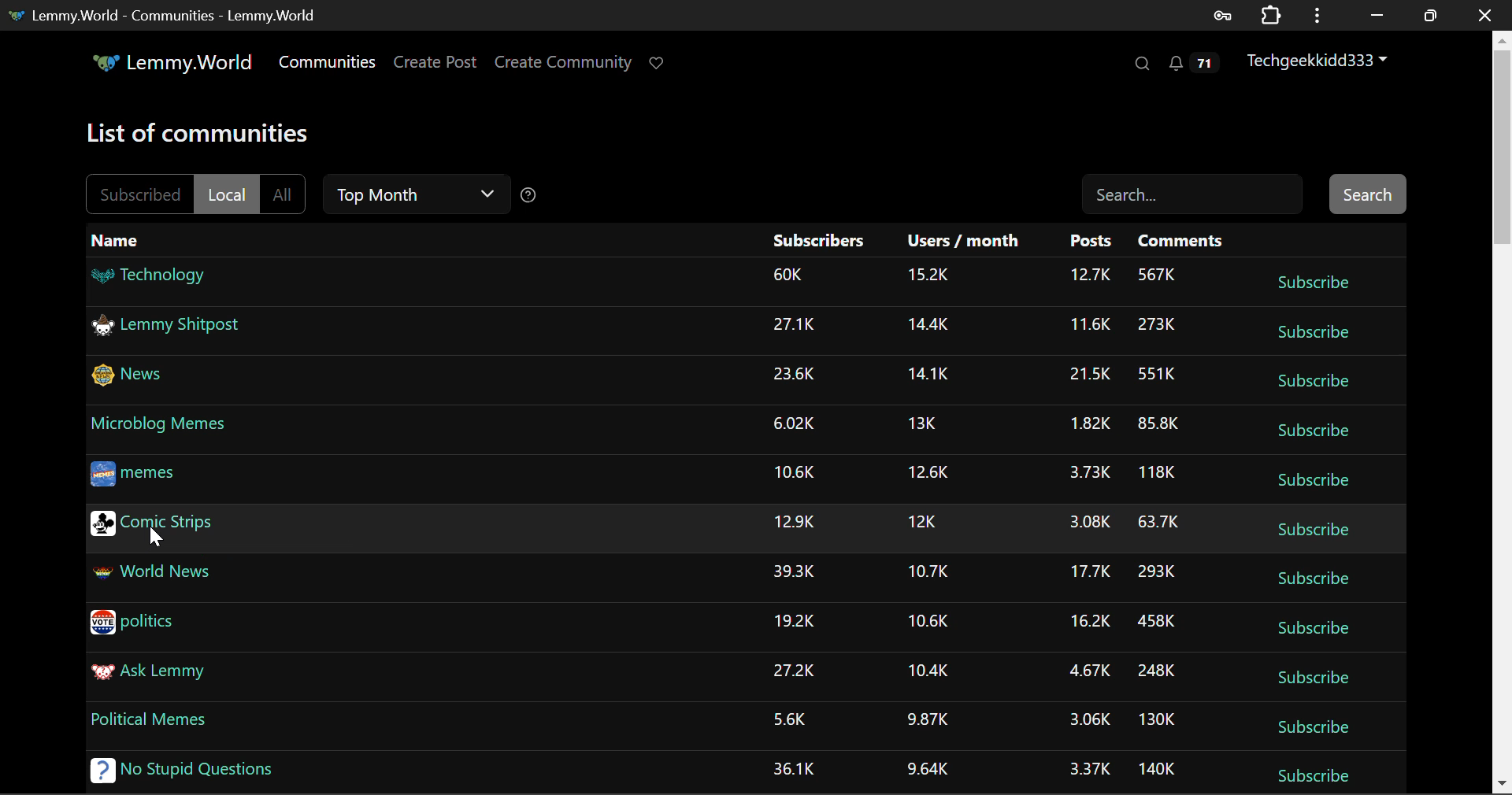 This screenshot has height=795, width=1512. Describe the element at coordinates (1088, 719) in the screenshot. I see `3.06K` at that location.